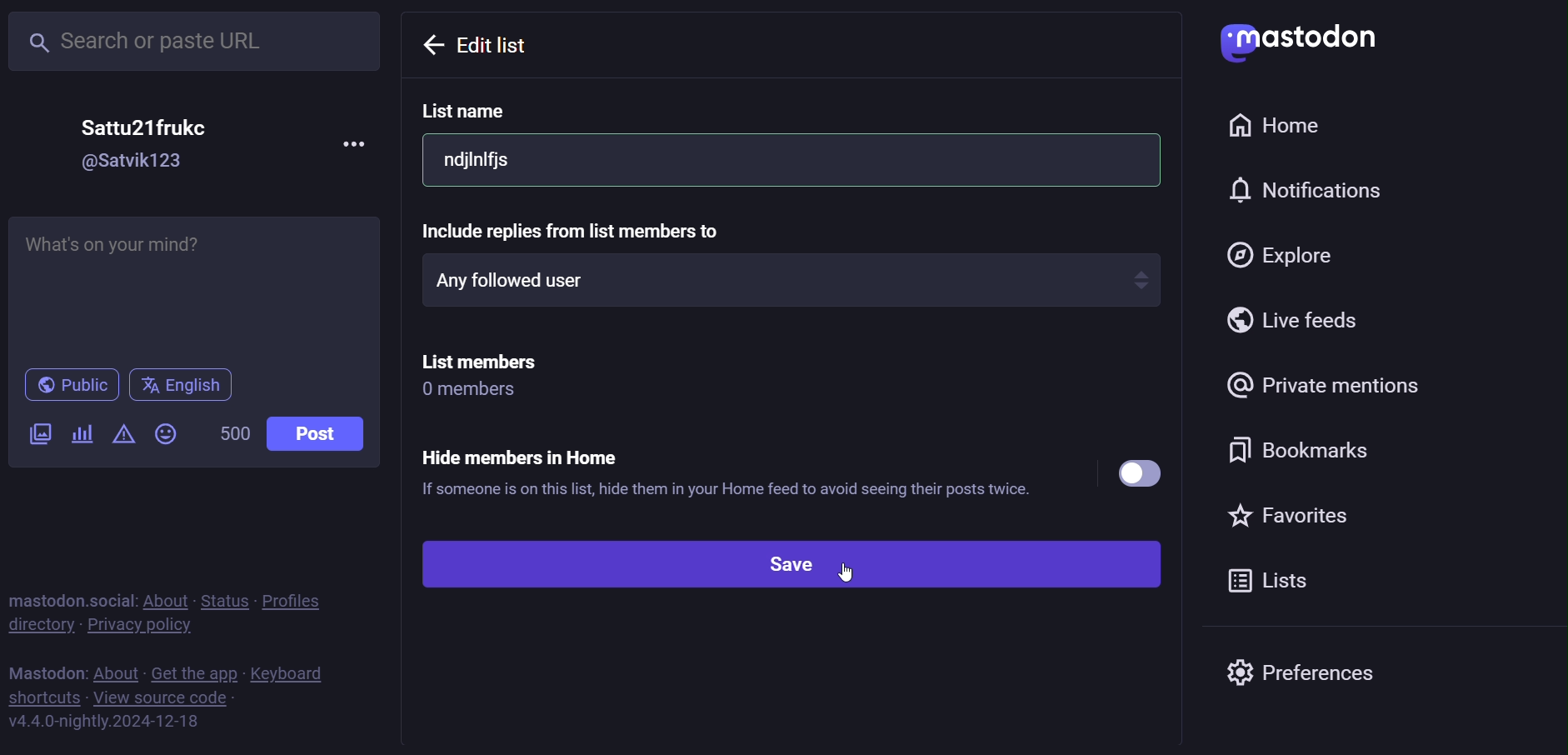  What do you see at coordinates (577, 229) in the screenshot?
I see `include replies` at bounding box center [577, 229].